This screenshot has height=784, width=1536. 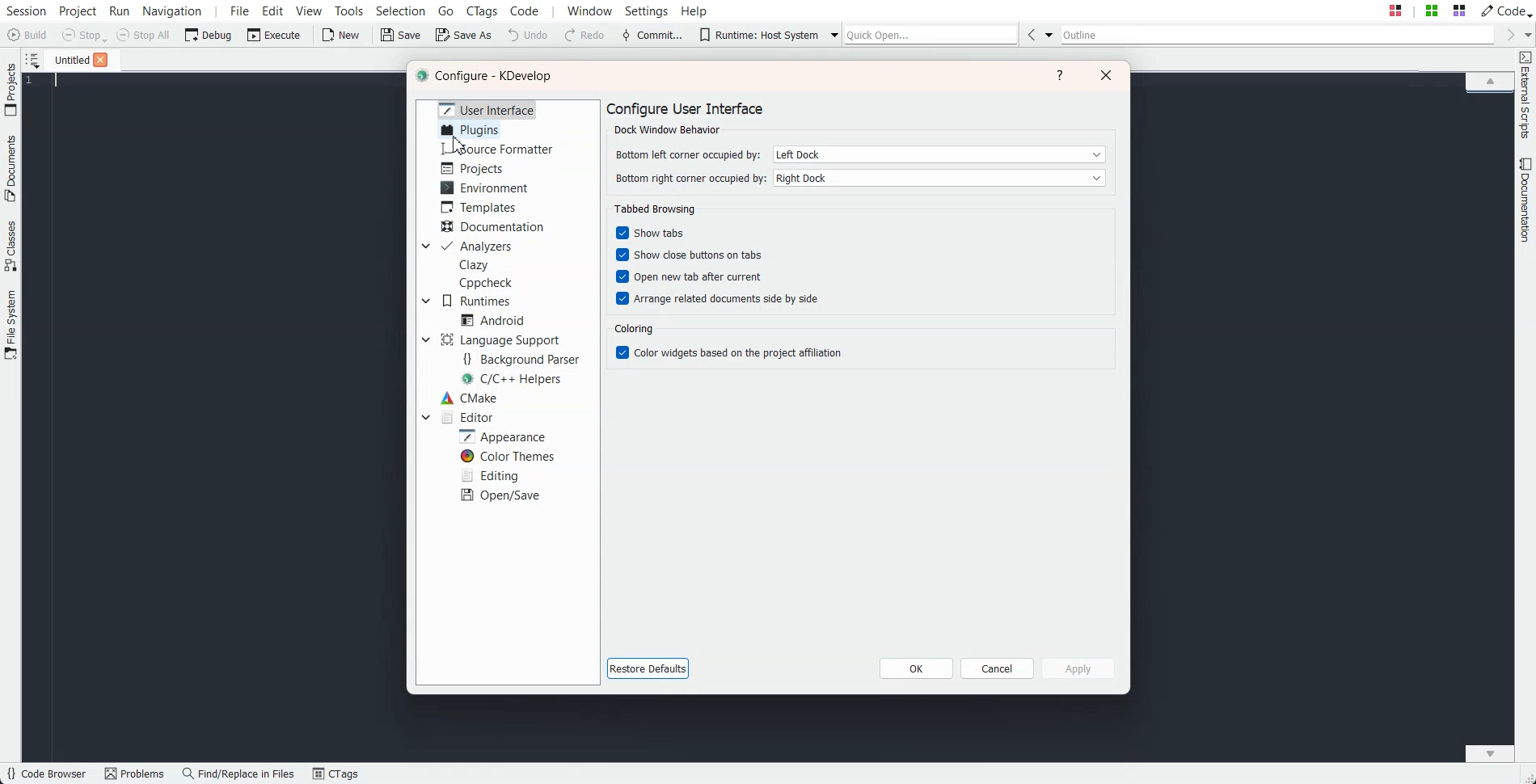 What do you see at coordinates (463, 34) in the screenshot?
I see `Save As` at bounding box center [463, 34].